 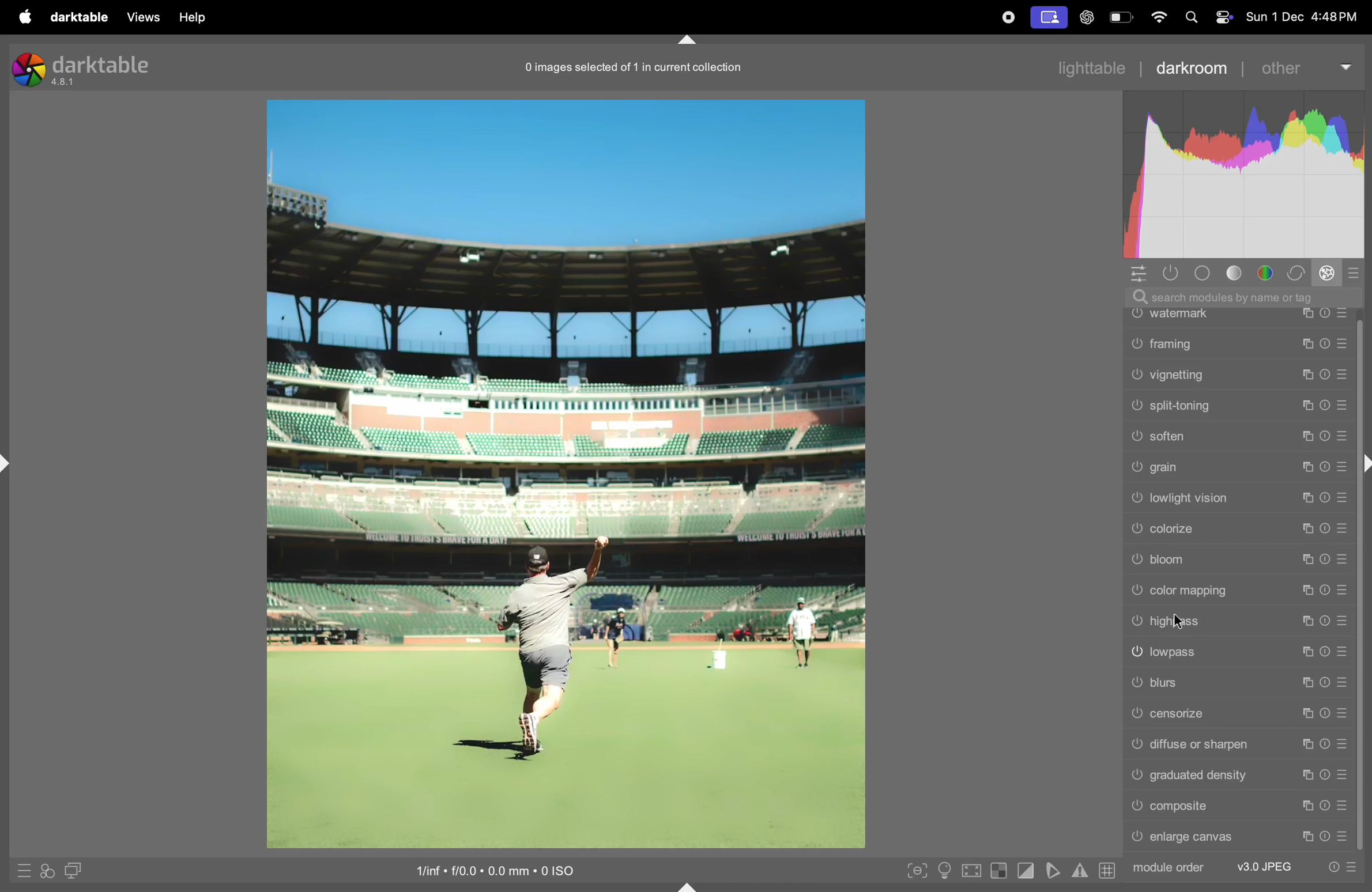 What do you see at coordinates (1262, 865) in the screenshot?
I see `v3 jpeg` at bounding box center [1262, 865].